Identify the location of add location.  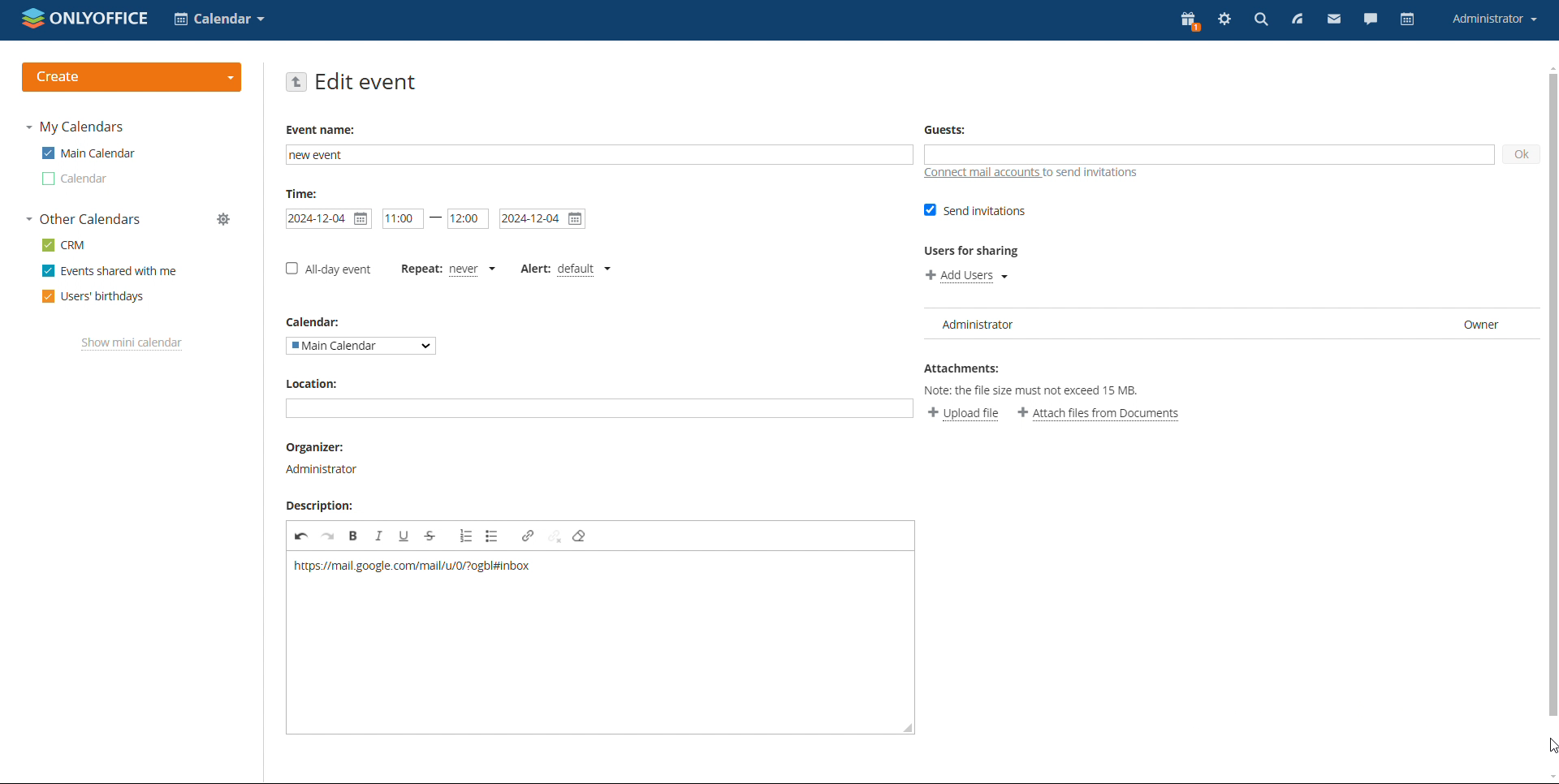
(599, 408).